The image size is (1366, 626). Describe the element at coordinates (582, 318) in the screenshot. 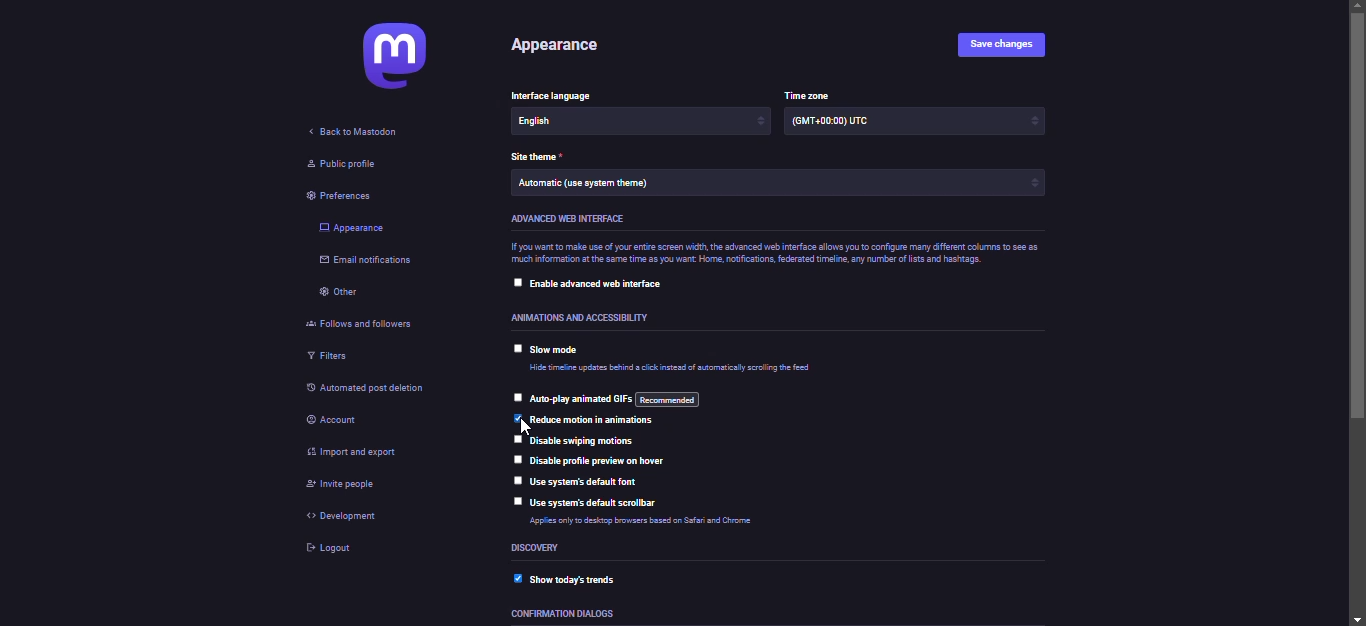

I see `accessibility` at that location.